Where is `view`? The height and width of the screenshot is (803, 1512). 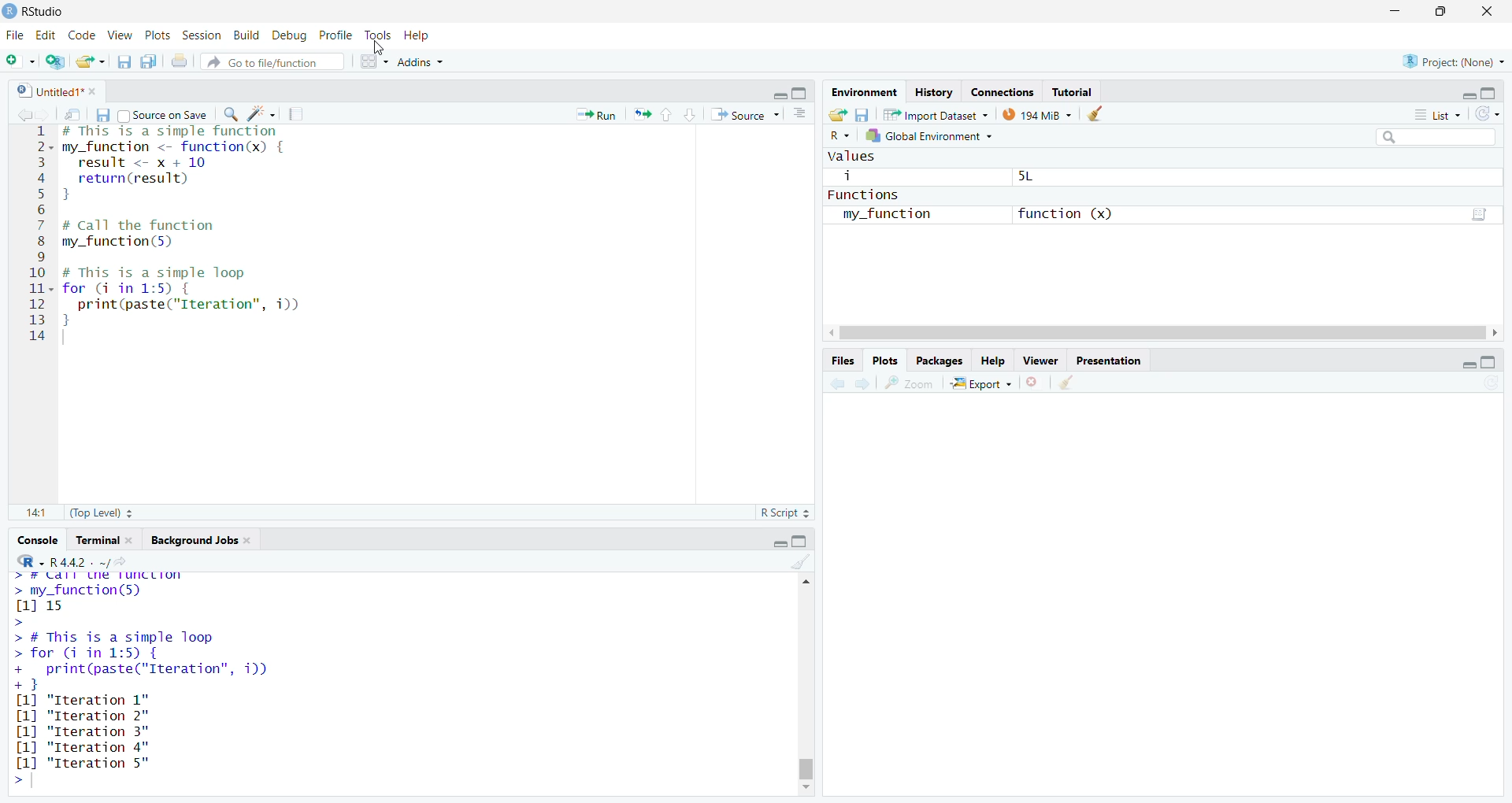 view is located at coordinates (120, 35).